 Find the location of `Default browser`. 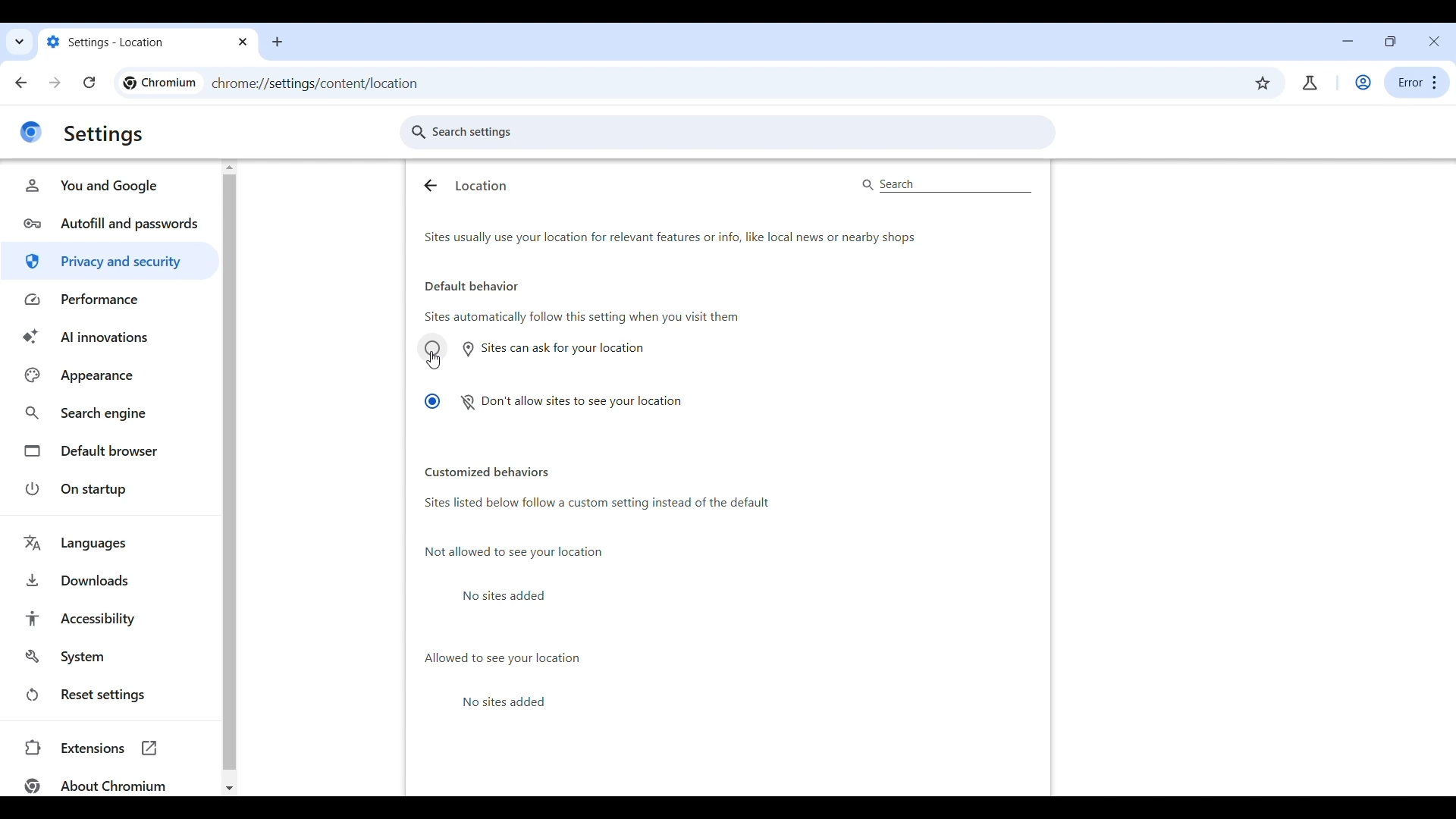

Default browser is located at coordinates (108, 450).